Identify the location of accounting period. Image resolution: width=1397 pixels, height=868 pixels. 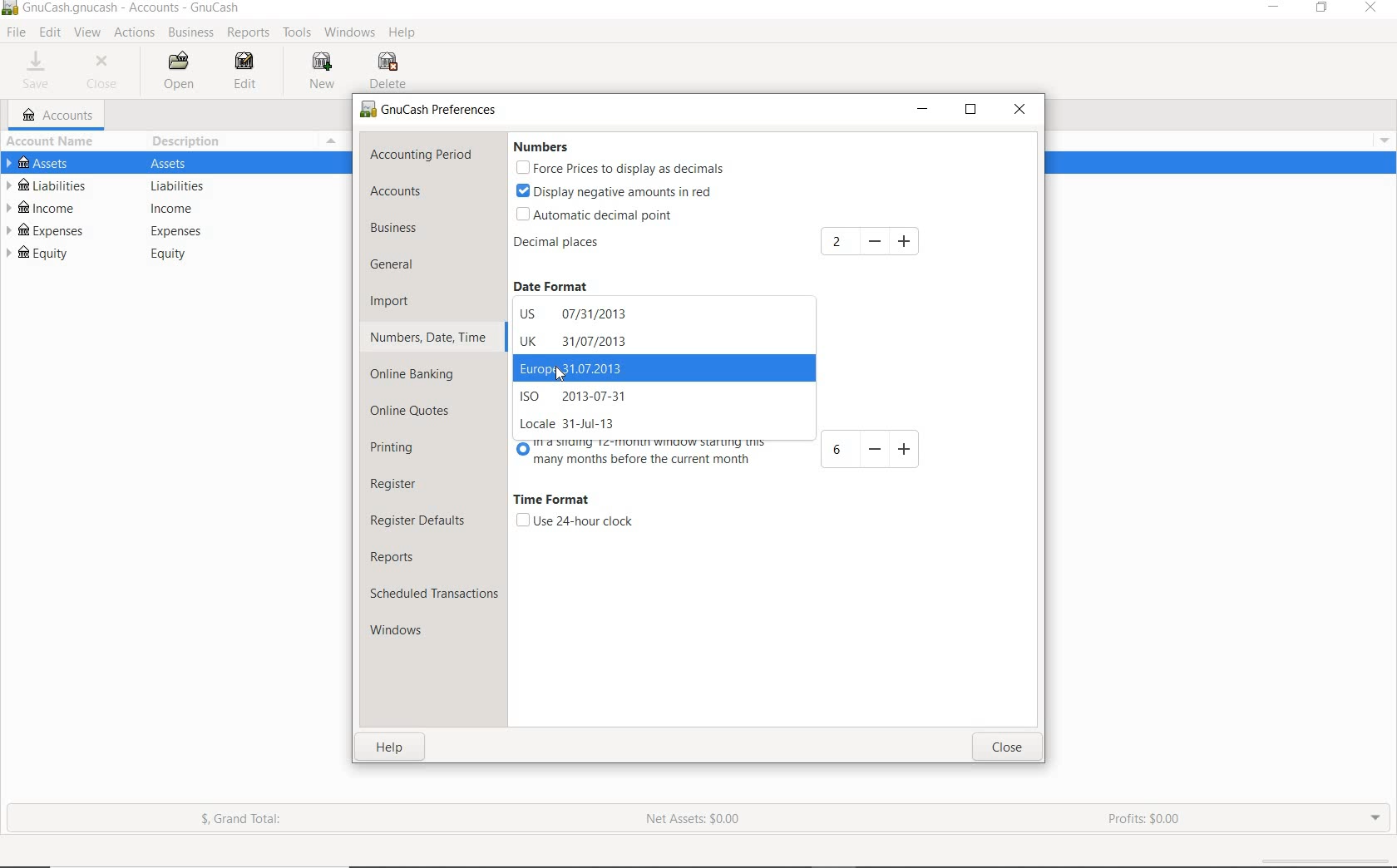
(421, 155).